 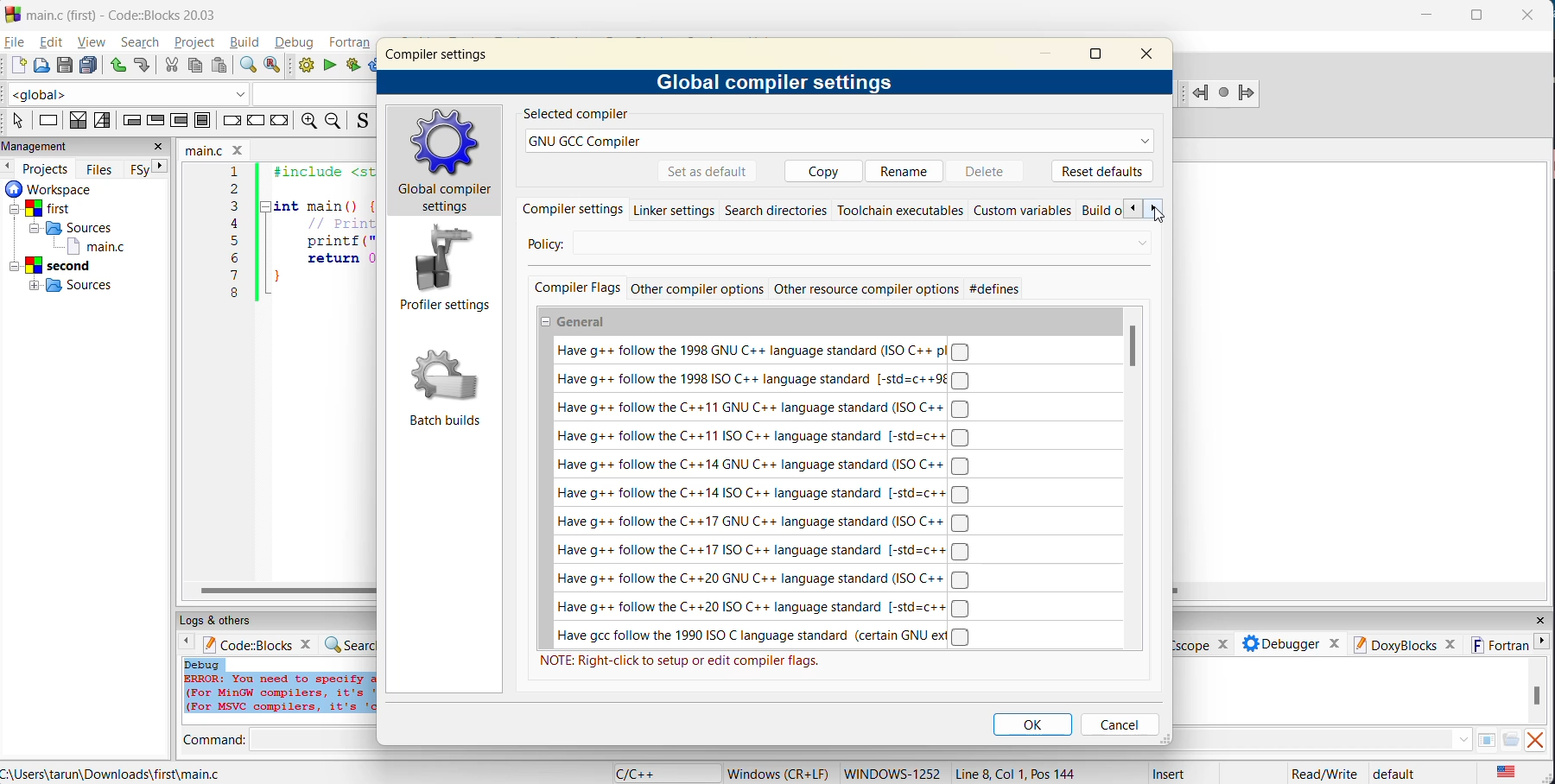 What do you see at coordinates (1171, 772) in the screenshot?
I see `Insert` at bounding box center [1171, 772].